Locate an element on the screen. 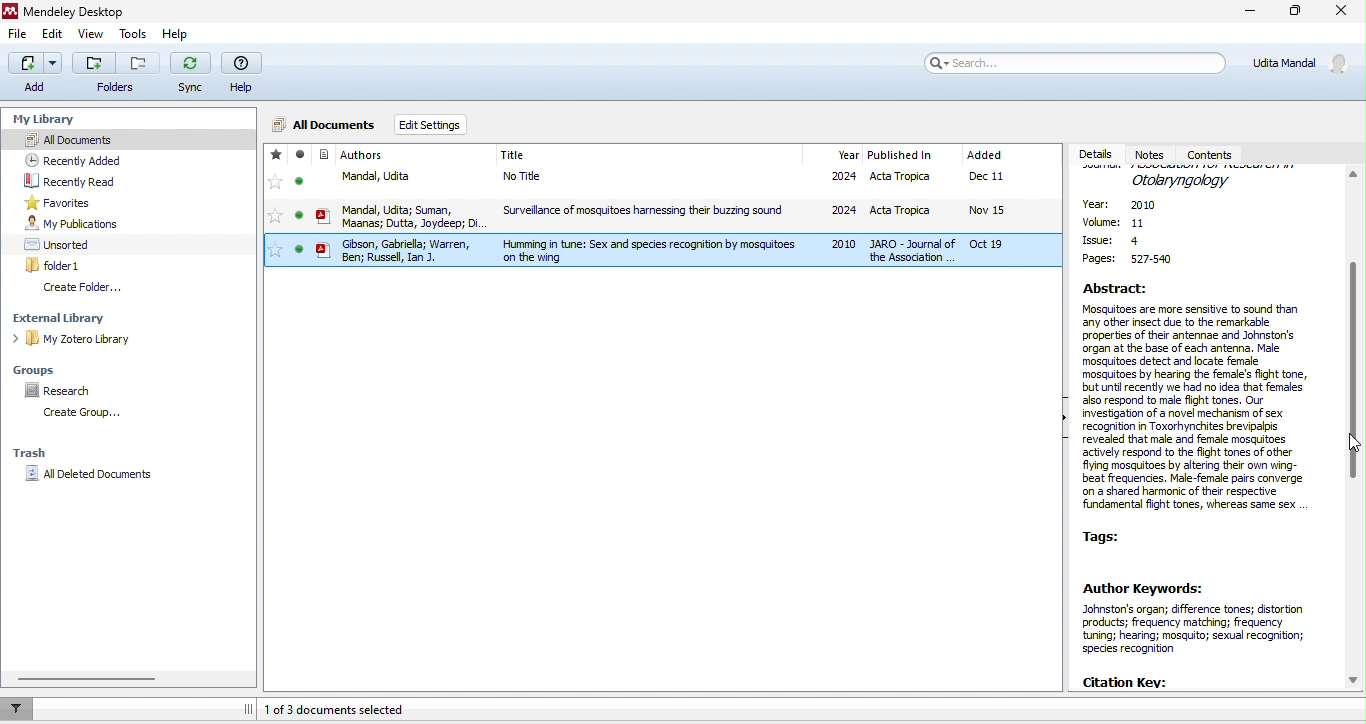  icon is located at coordinates (324, 187).